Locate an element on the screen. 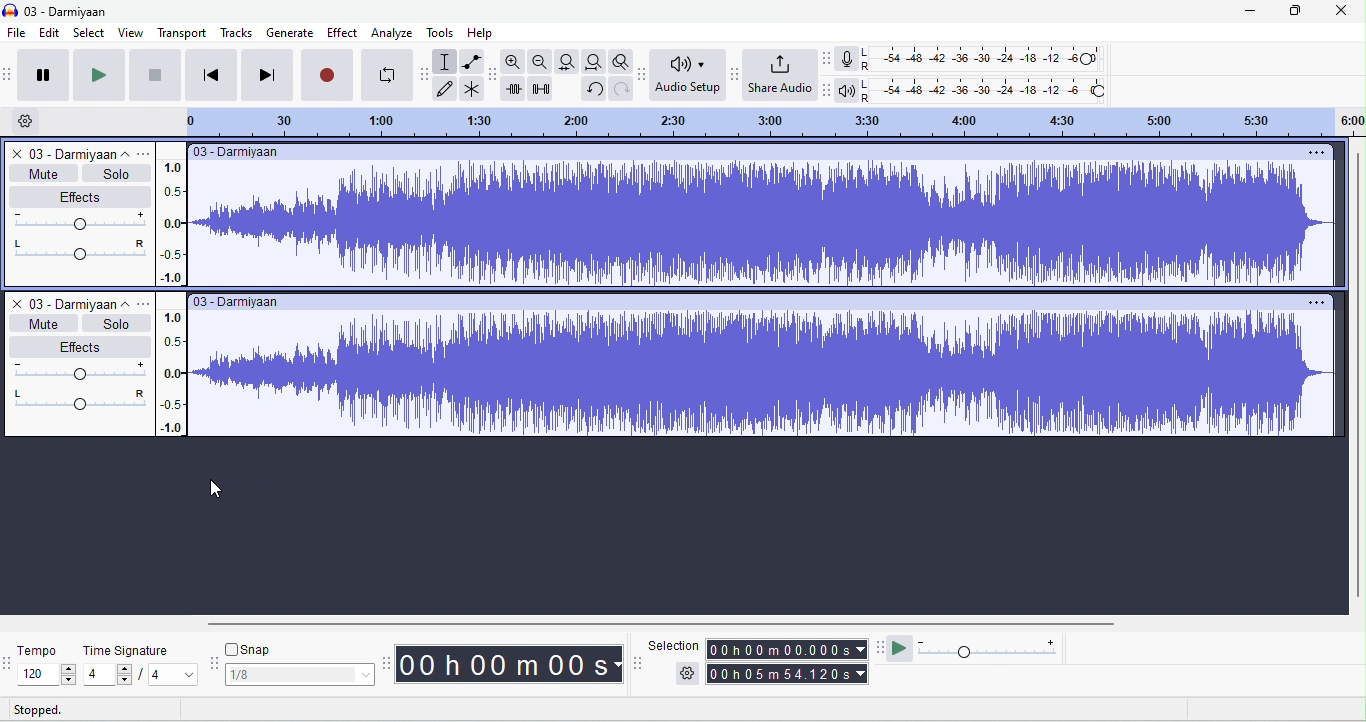 This screenshot has height=722, width=1366. effects is located at coordinates (83, 196).